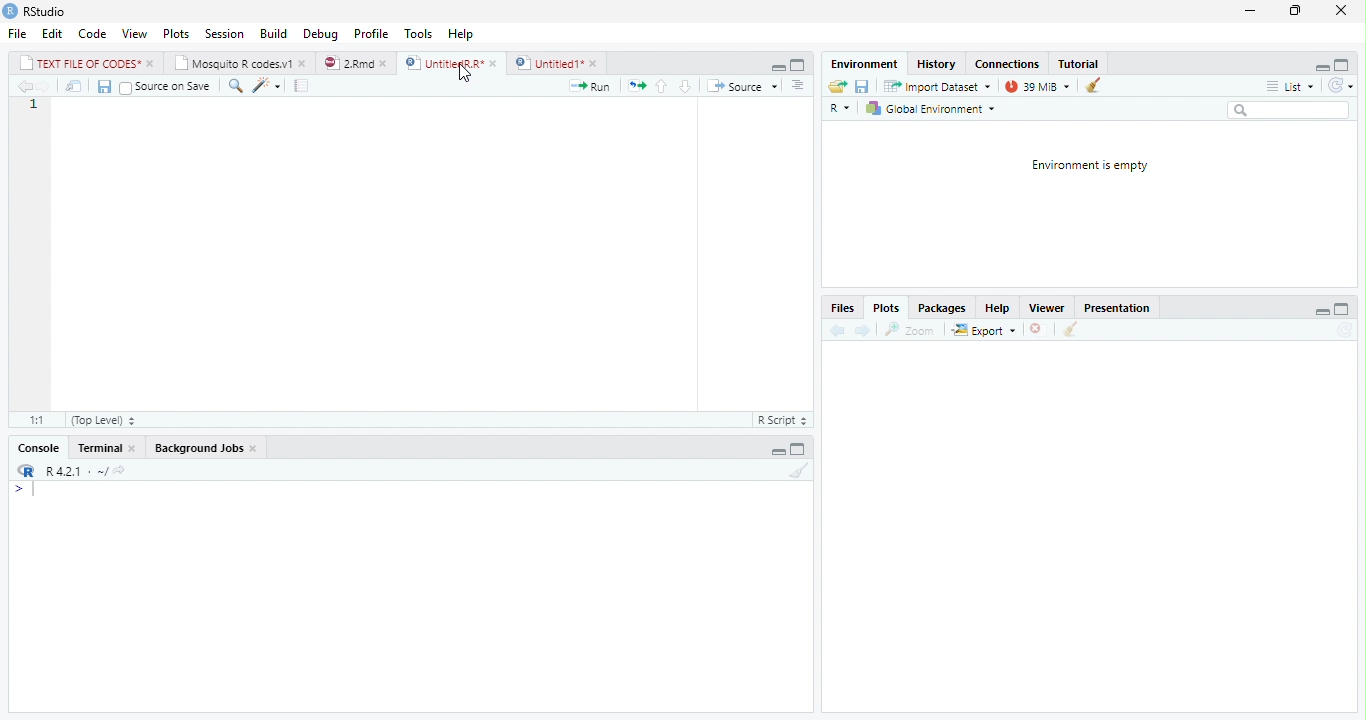 The width and height of the screenshot is (1366, 720). Describe the element at coordinates (930, 109) in the screenshot. I see `Global environment` at that location.